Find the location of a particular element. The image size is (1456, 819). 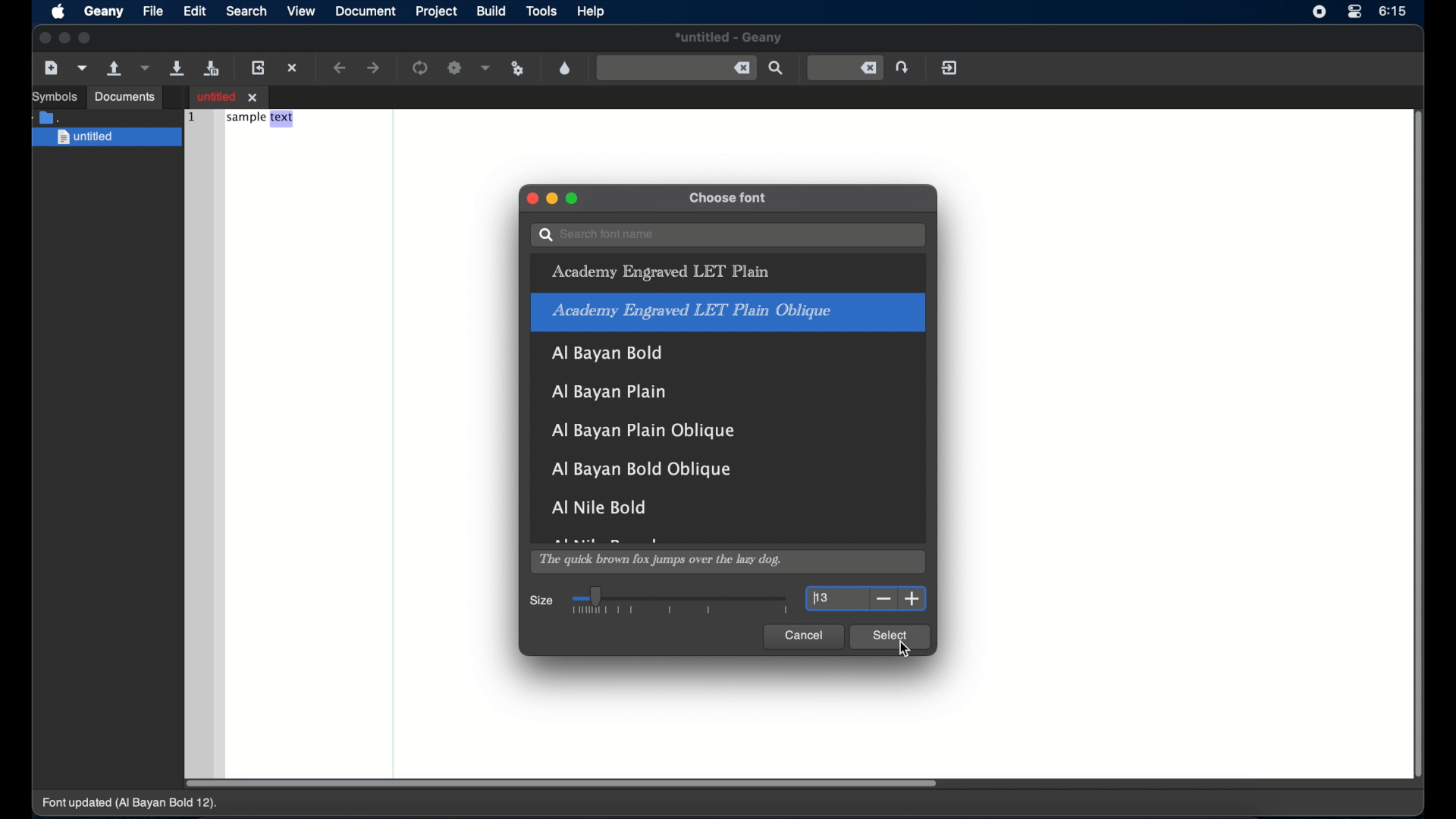

edit is located at coordinates (196, 11).